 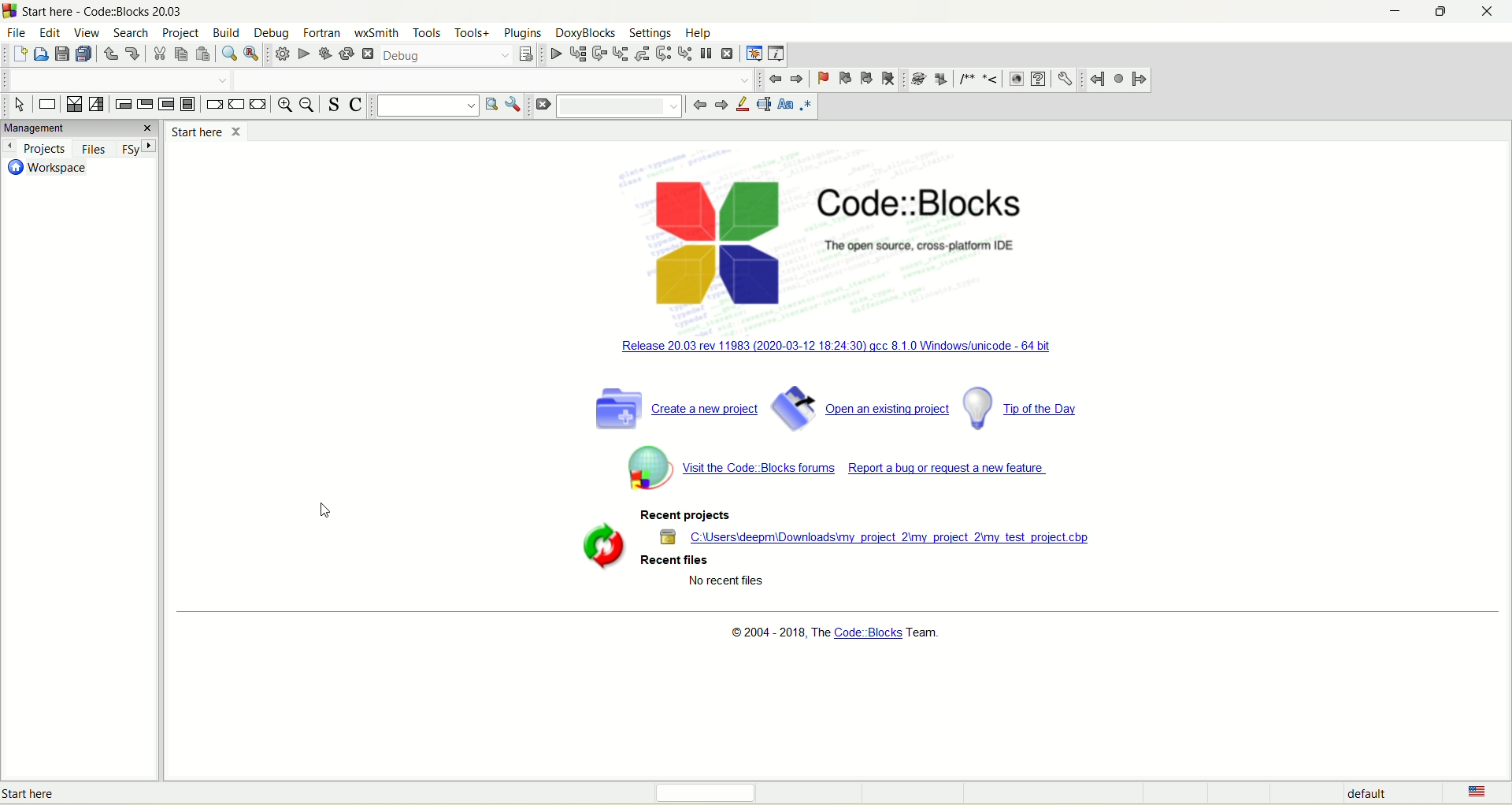 What do you see at coordinates (795, 78) in the screenshot?
I see `jump forward` at bounding box center [795, 78].